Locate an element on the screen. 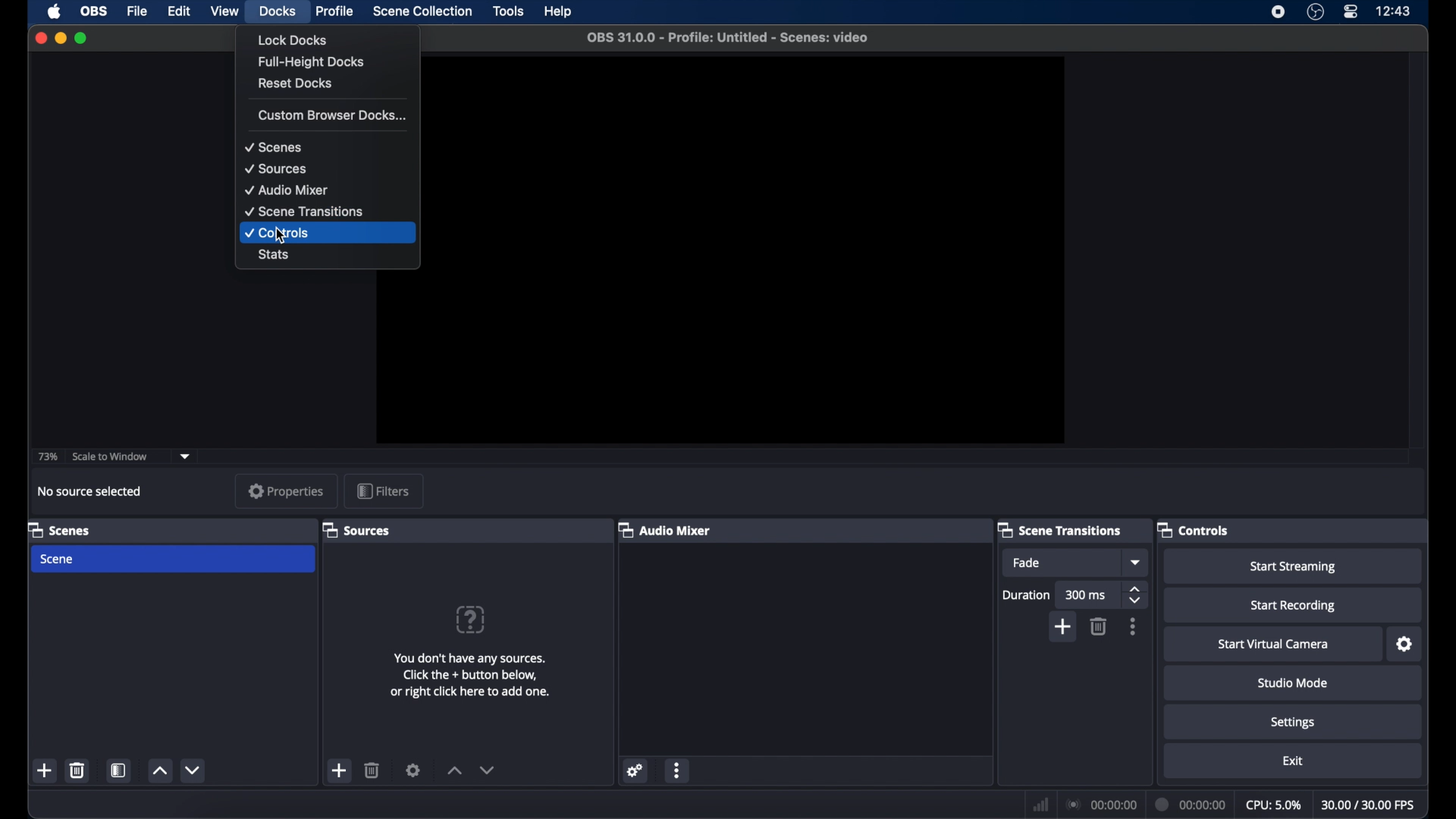 The image size is (1456, 819). minimize is located at coordinates (60, 38).